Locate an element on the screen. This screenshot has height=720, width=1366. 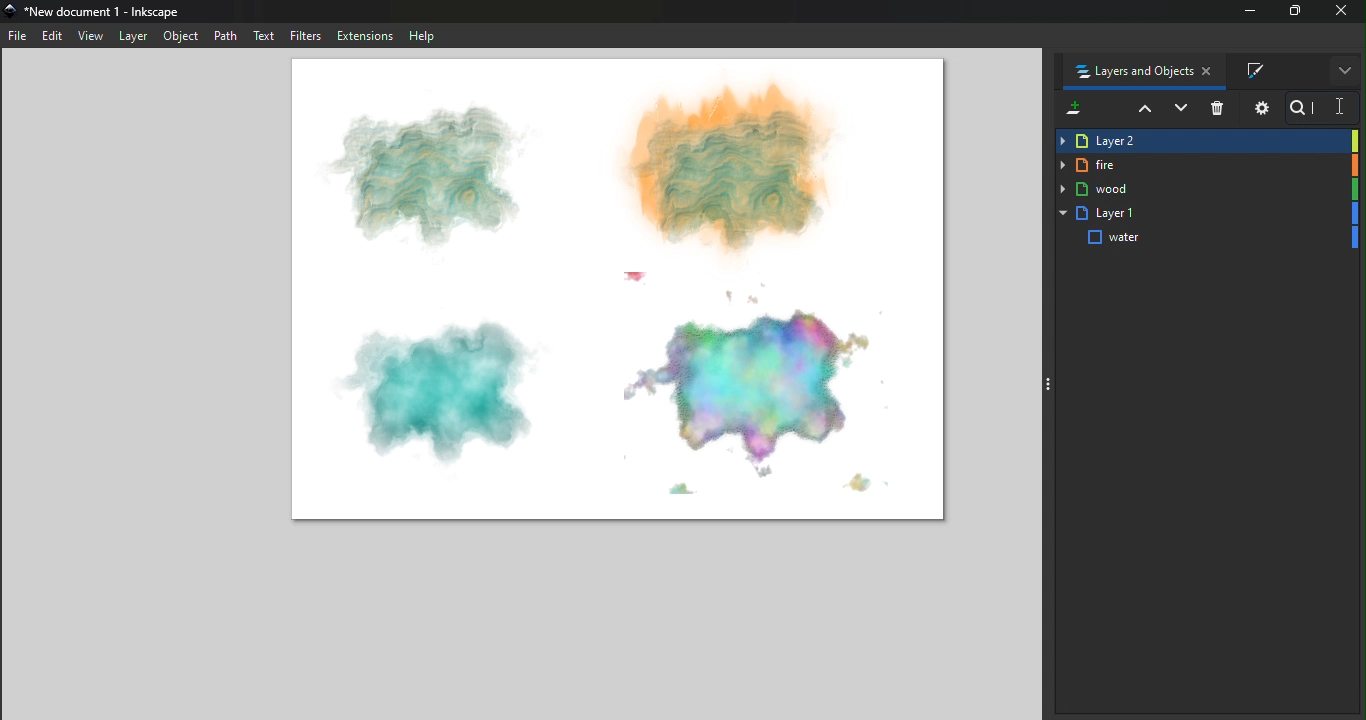
Objects and layers dialog settings is located at coordinates (1260, 107).